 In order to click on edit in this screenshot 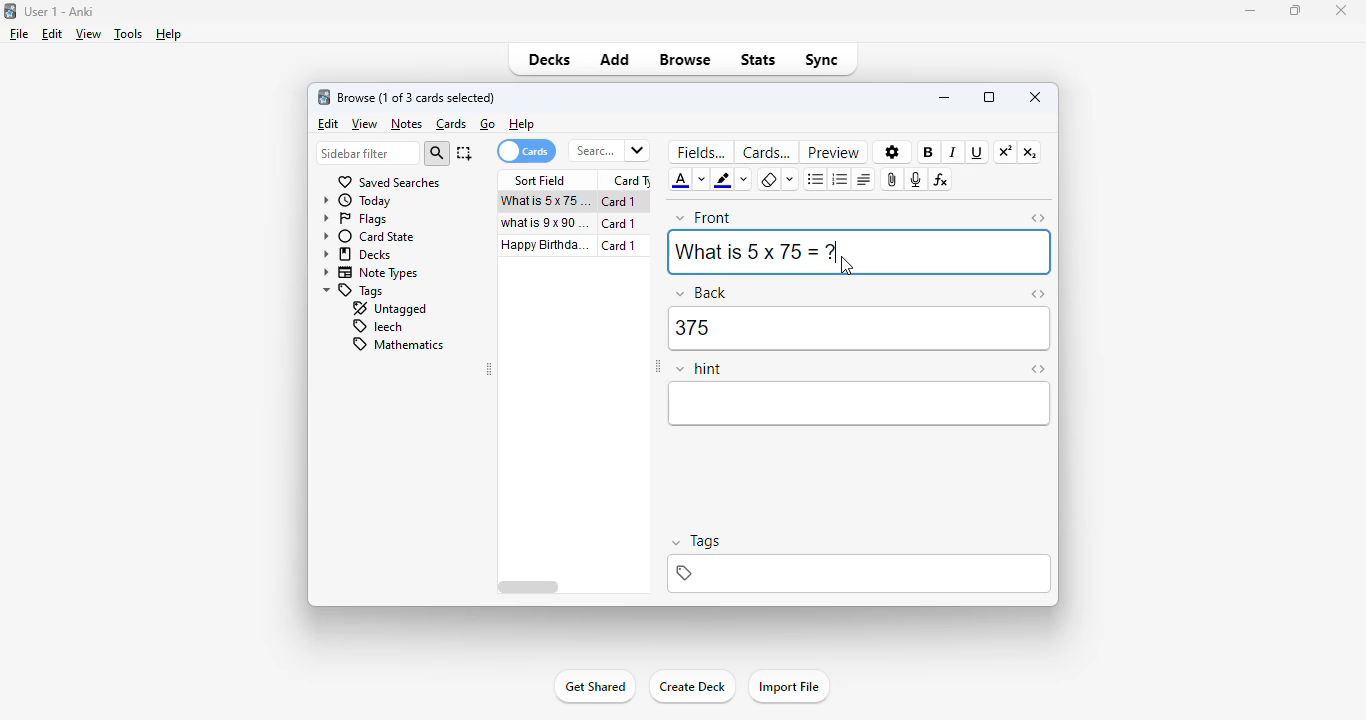, I will do `click(53, 35)`.